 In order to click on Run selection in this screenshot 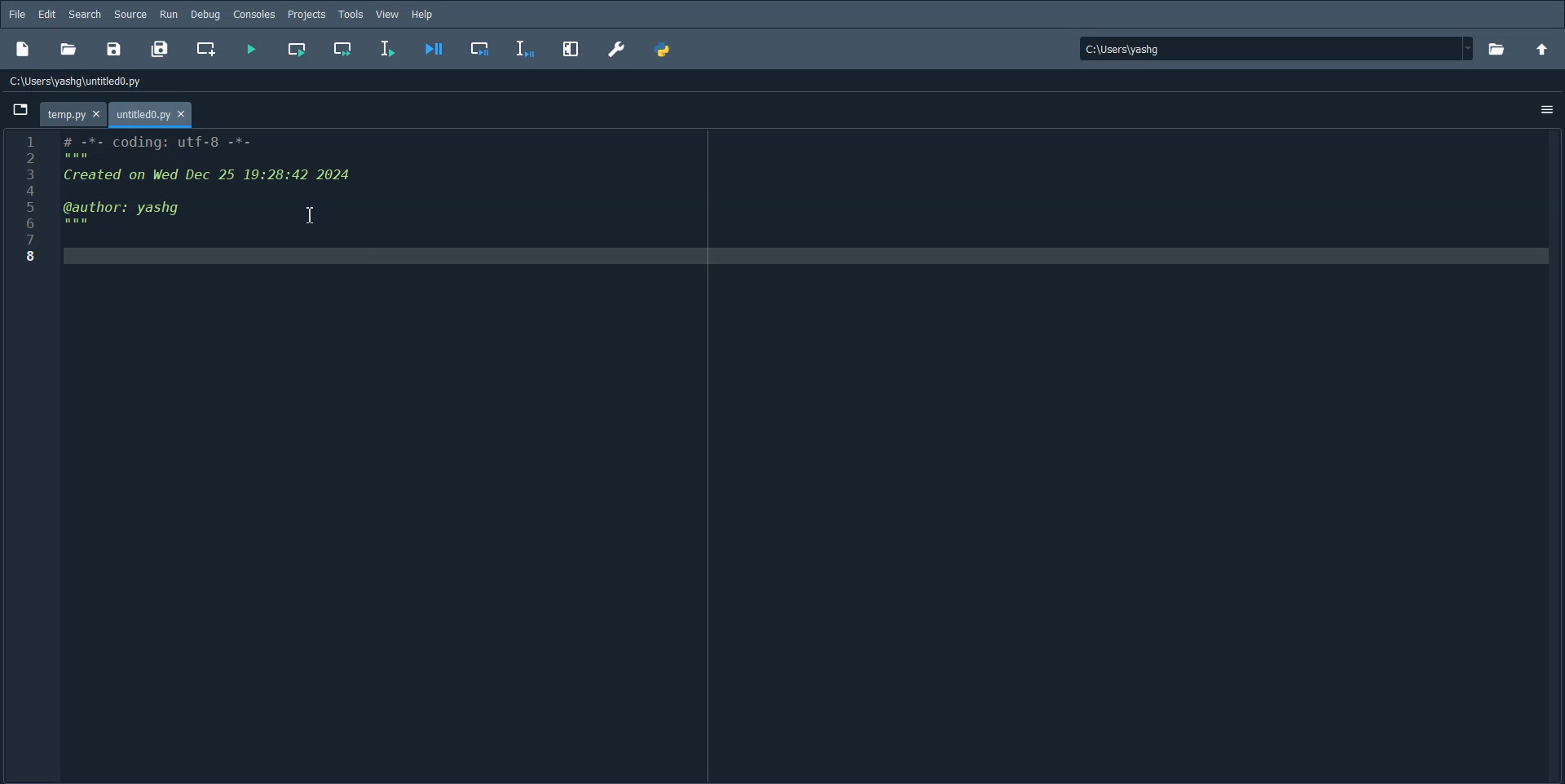, I will do `click(388, 51)`.